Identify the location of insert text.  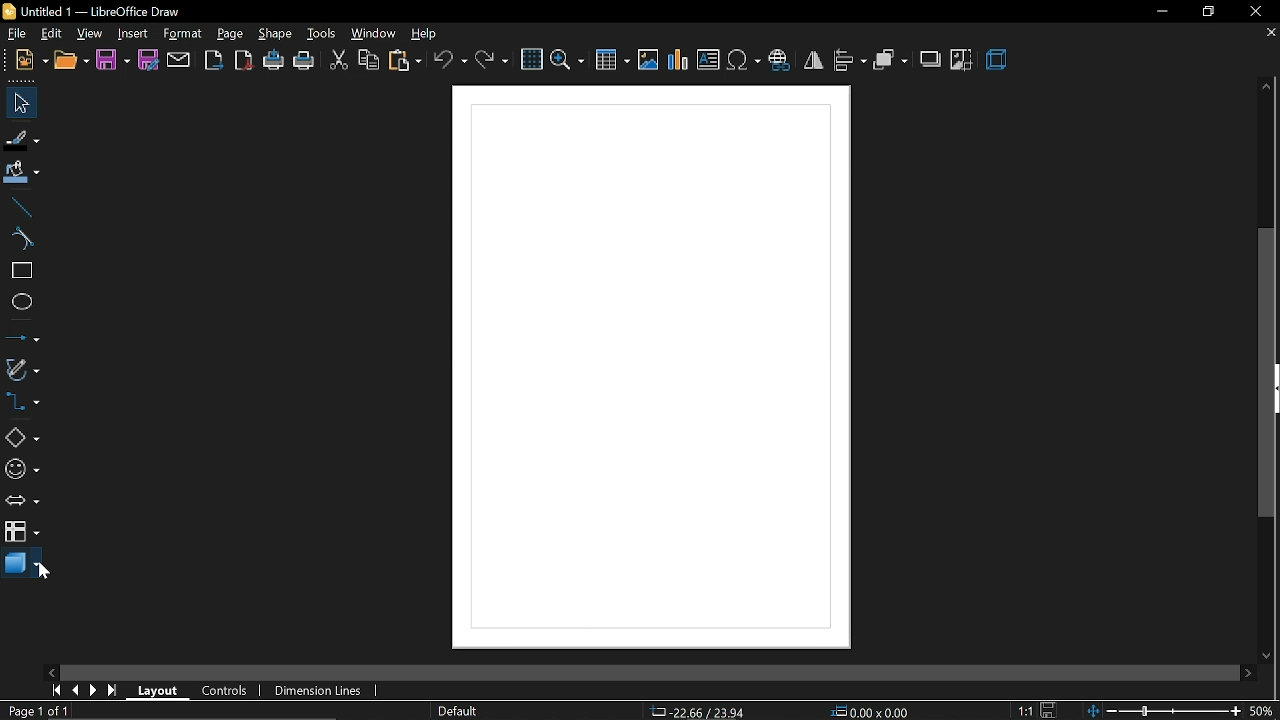
(708, 60).